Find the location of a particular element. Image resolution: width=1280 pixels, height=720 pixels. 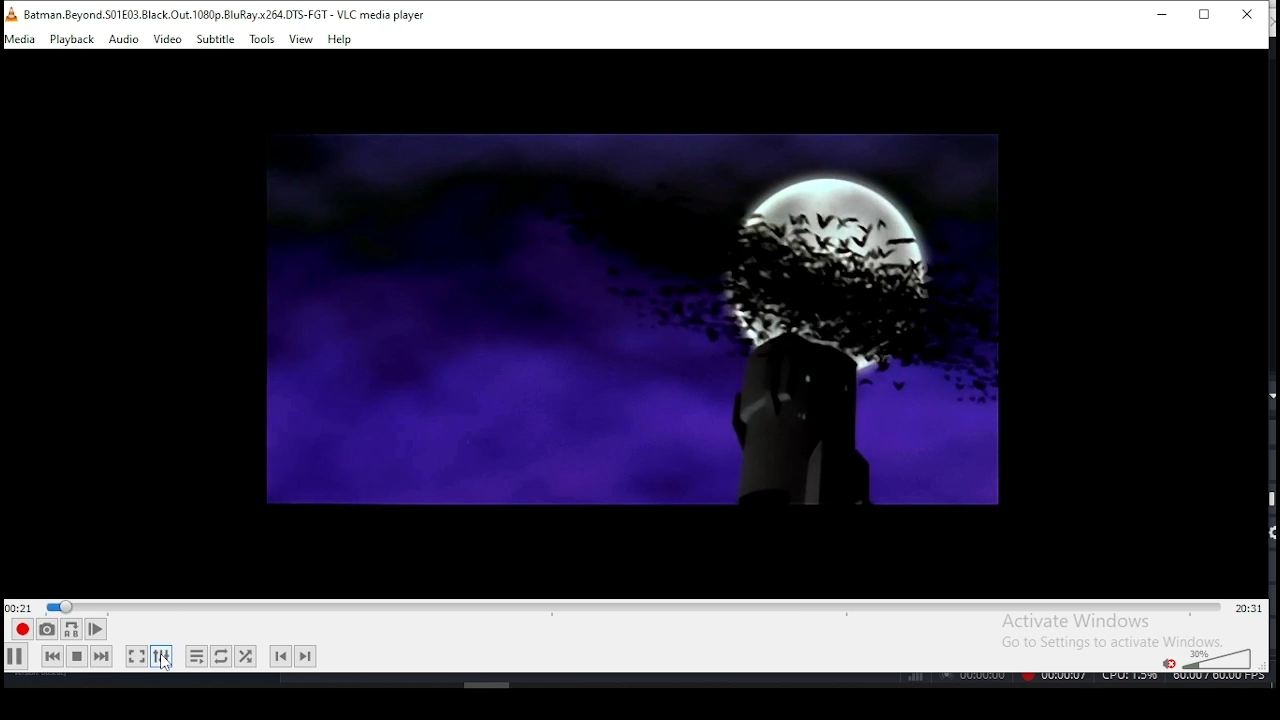

icon and filename is located at coordinates (222, 13).